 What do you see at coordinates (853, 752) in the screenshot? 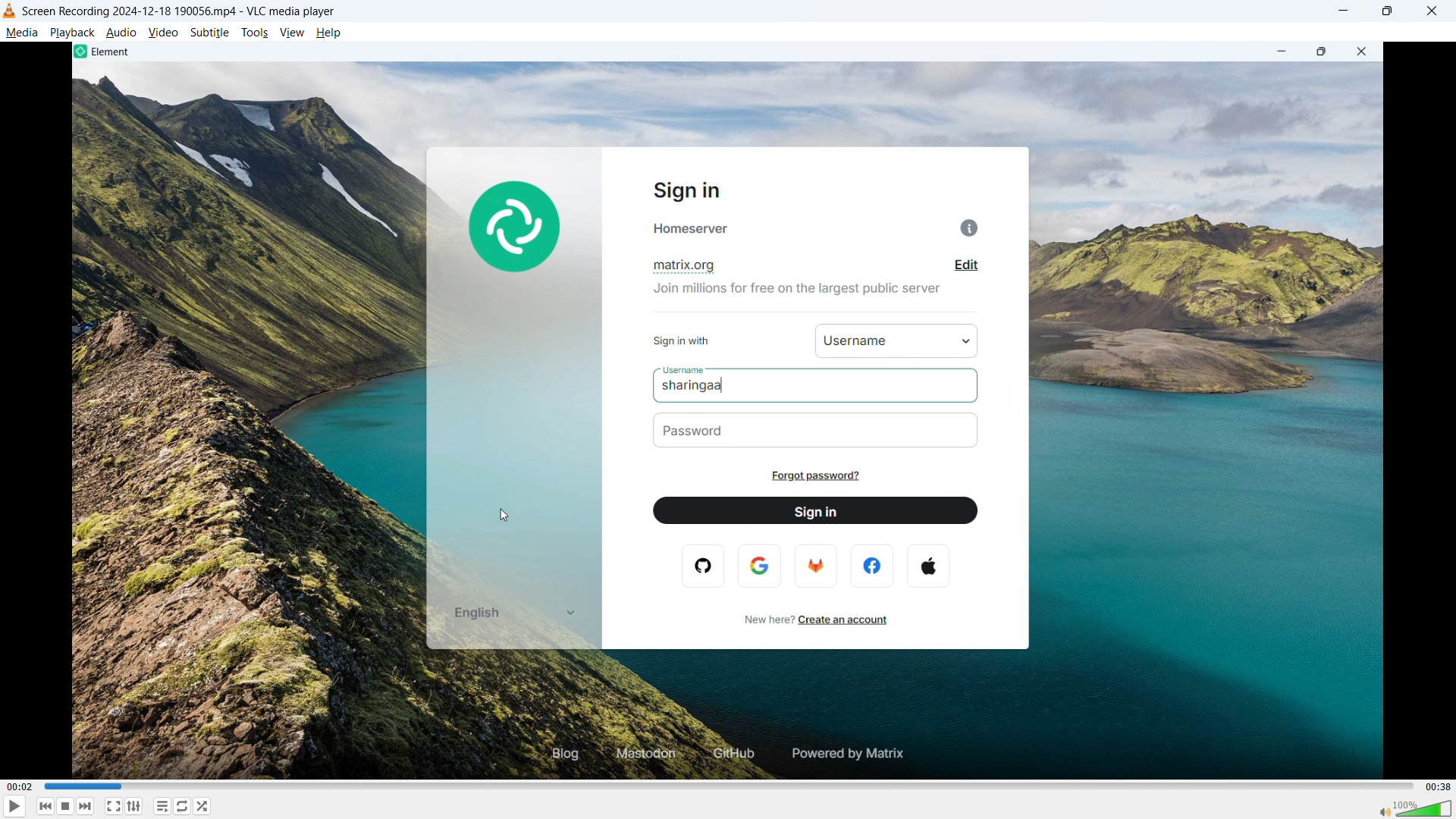
I see `Powered by Matrix` at bounding box center [853, 752].